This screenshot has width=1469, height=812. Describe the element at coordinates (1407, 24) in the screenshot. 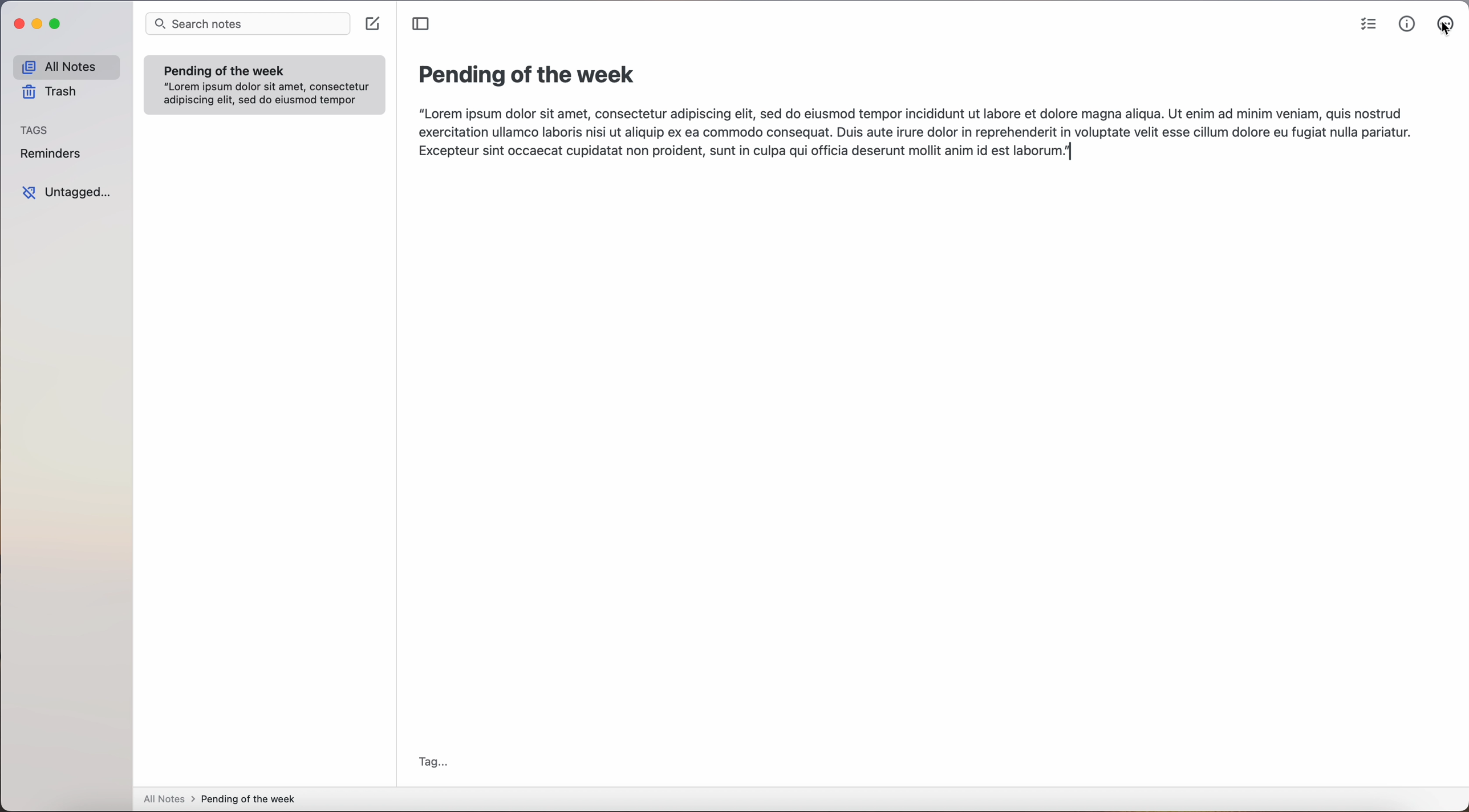

I see `metrics` at that location.